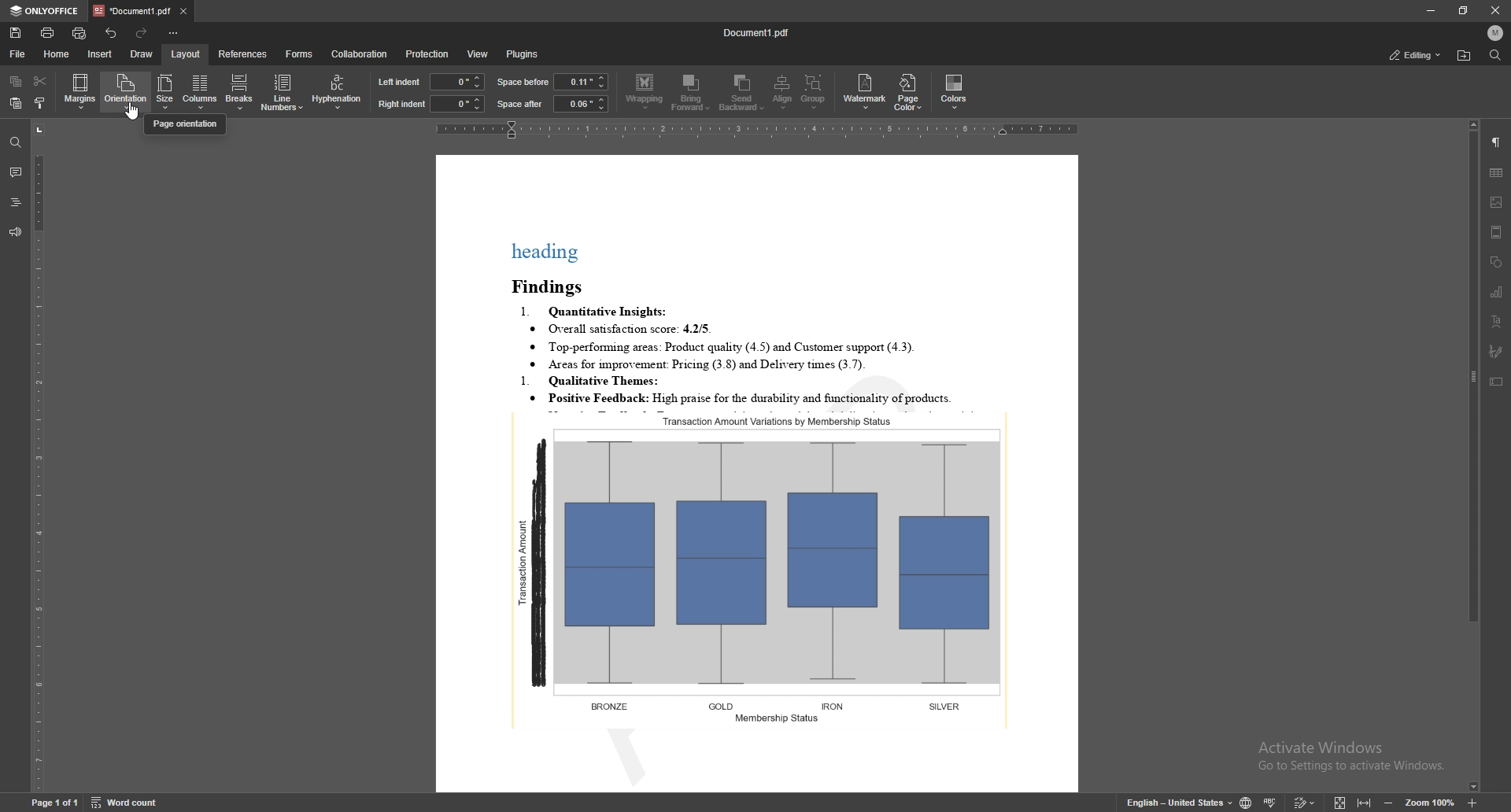 Image resolution: width=1511 pixels, height=812 pixels. What do you see at coordinates (526, 54) in the screenshot?
I see `plugins` at bounding box center [526, 54].